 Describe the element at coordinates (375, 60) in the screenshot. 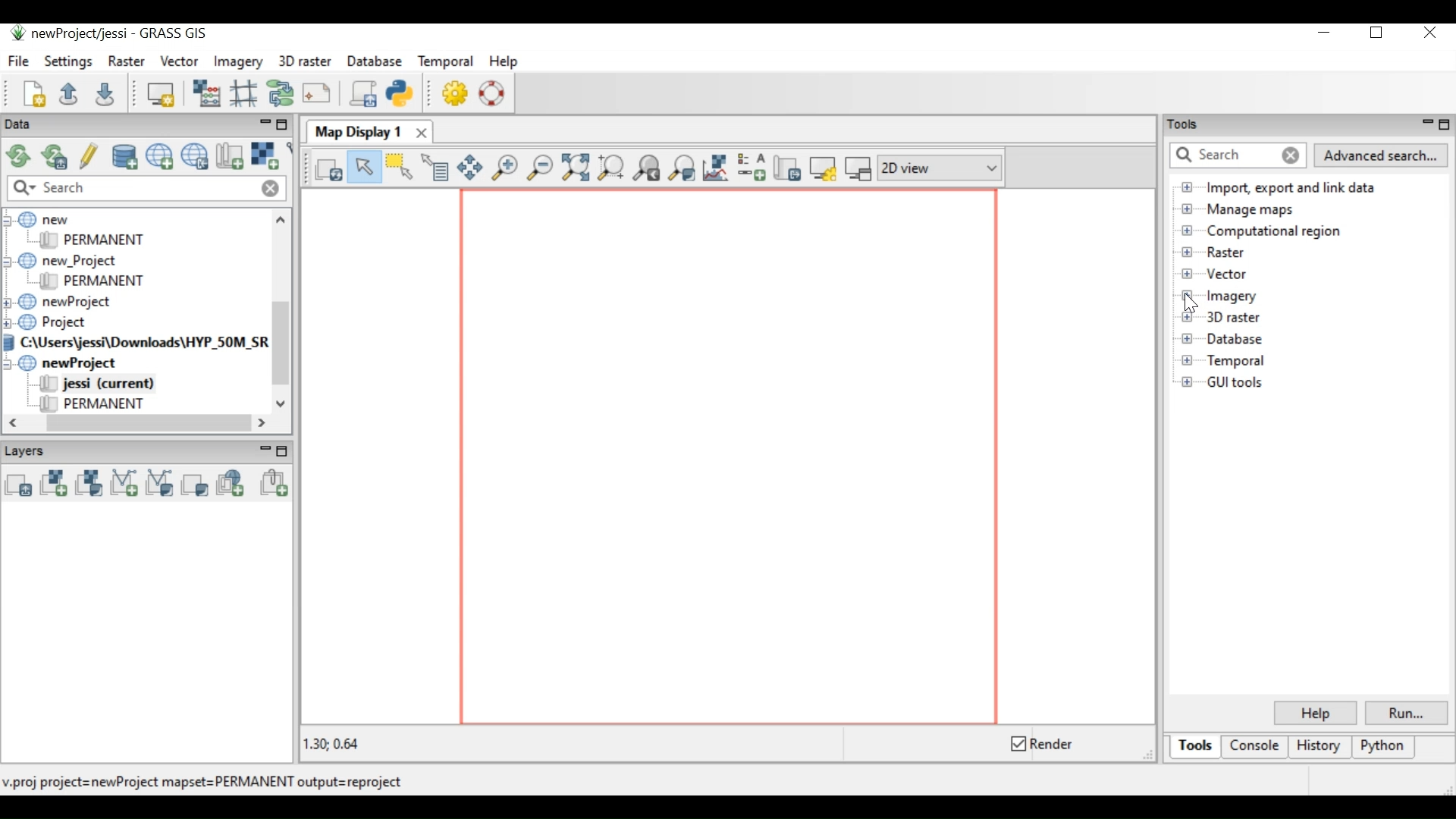

I see `Database` at that location.